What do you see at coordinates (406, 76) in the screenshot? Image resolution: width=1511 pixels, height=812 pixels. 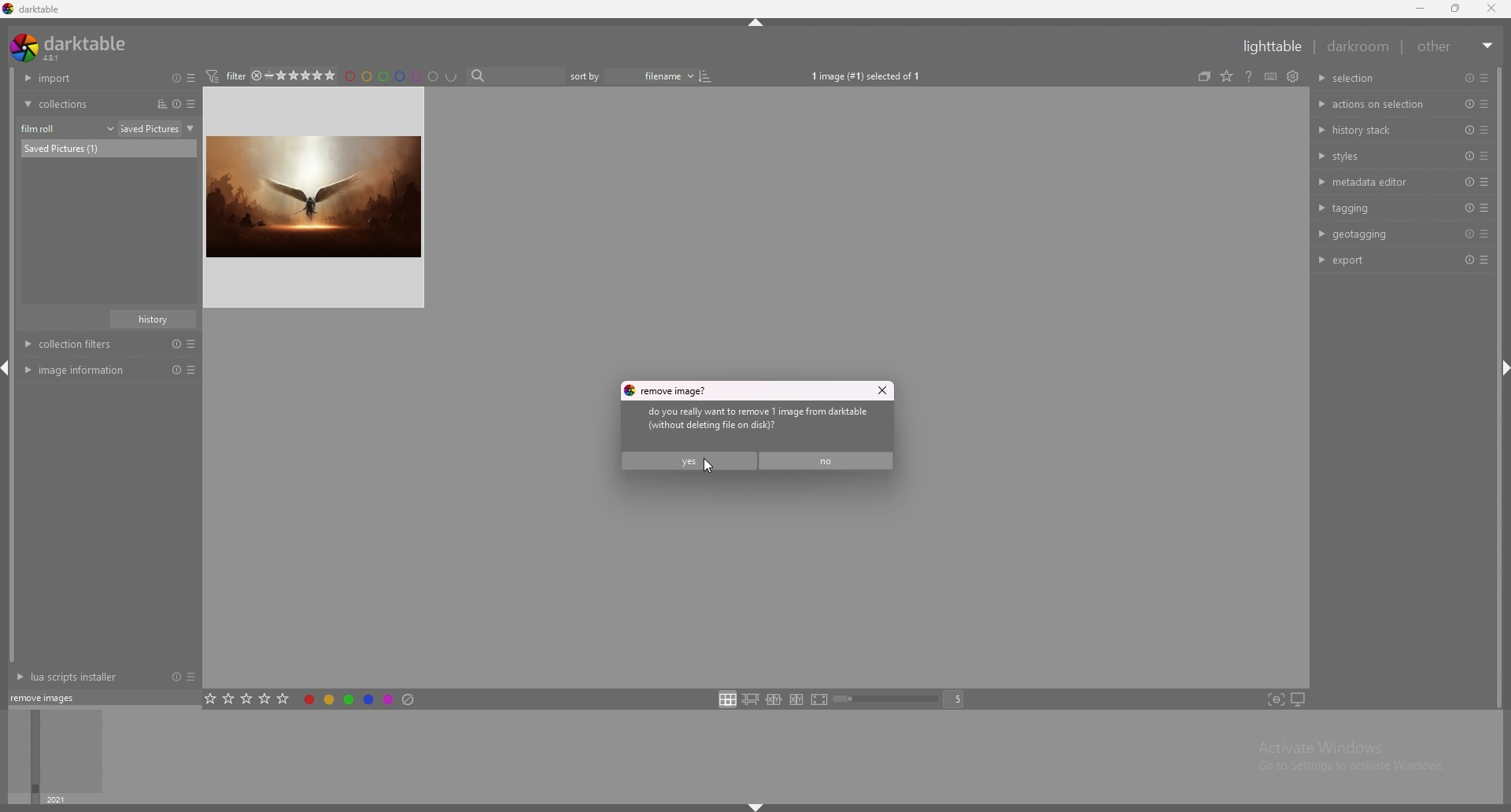 I see `filter by color label` at bounding box center [406, 76].